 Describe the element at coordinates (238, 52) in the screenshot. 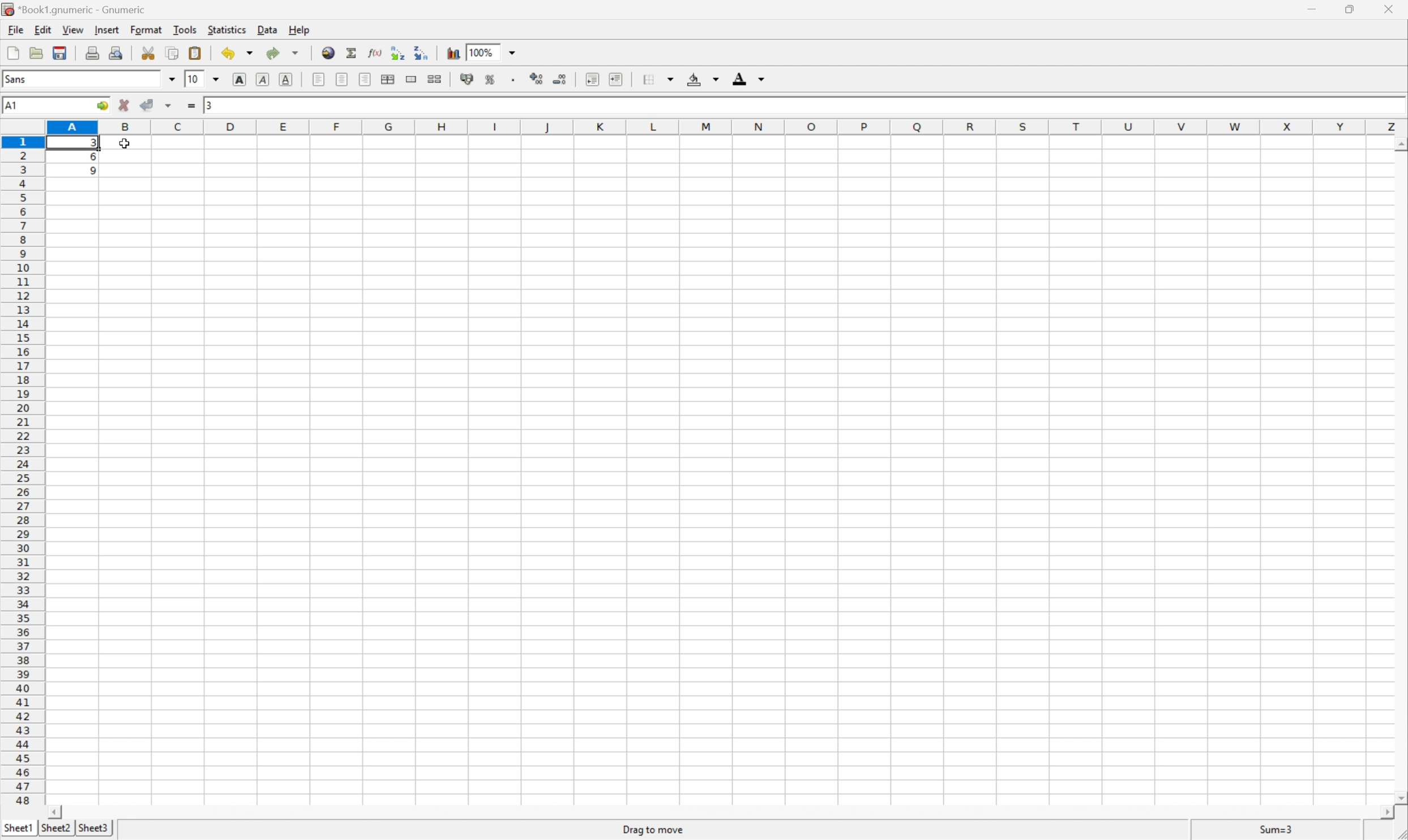

I see `Undo` at that location.